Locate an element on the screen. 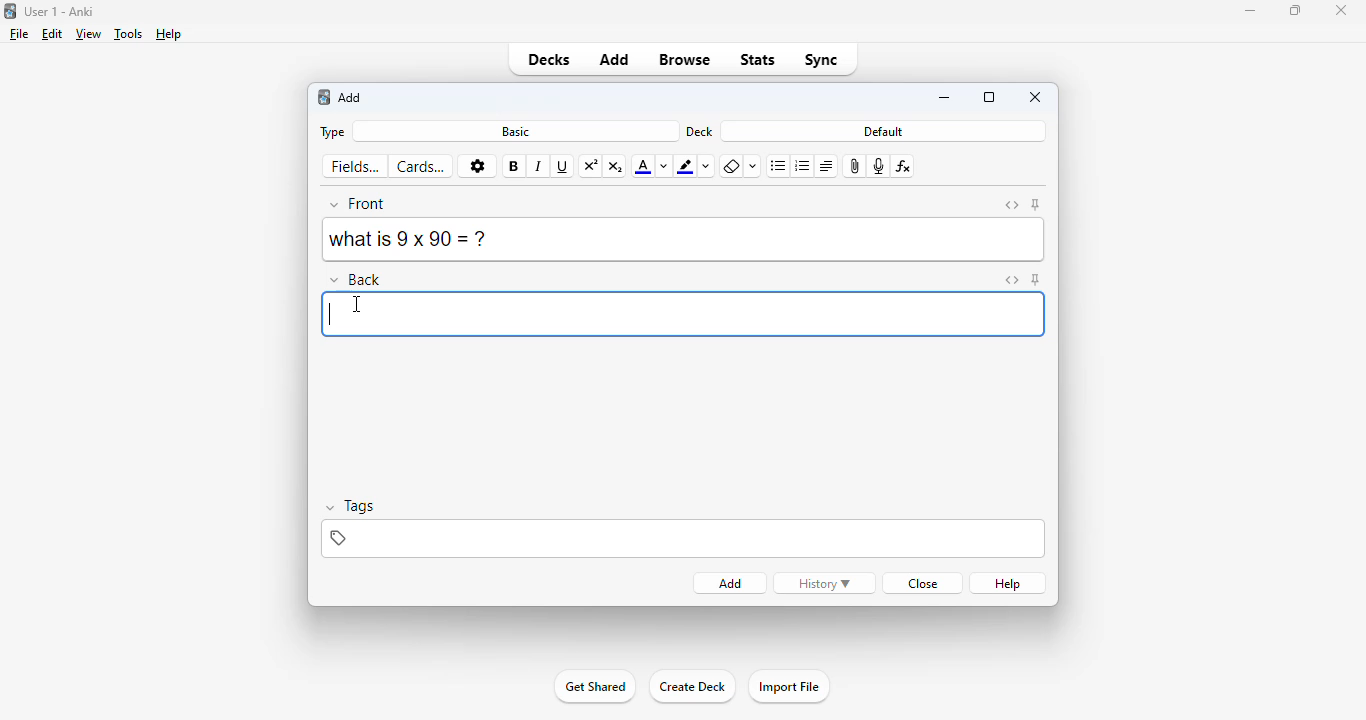 The width and height of the screenshot is (1366, 720). logo is located at coordinates (323, 97).